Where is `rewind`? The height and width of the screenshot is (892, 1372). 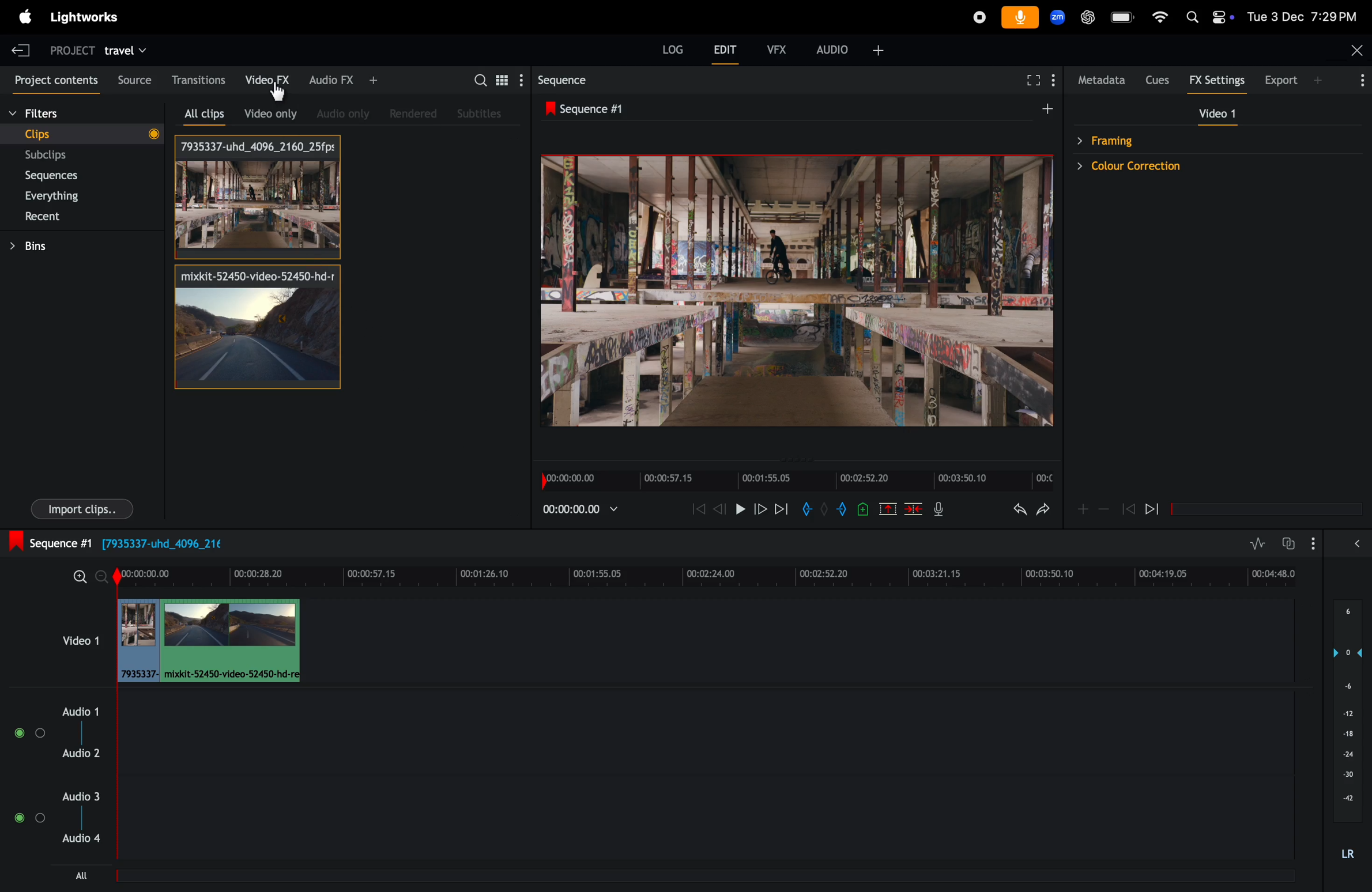 rewind is located at coordinates (718, 508).